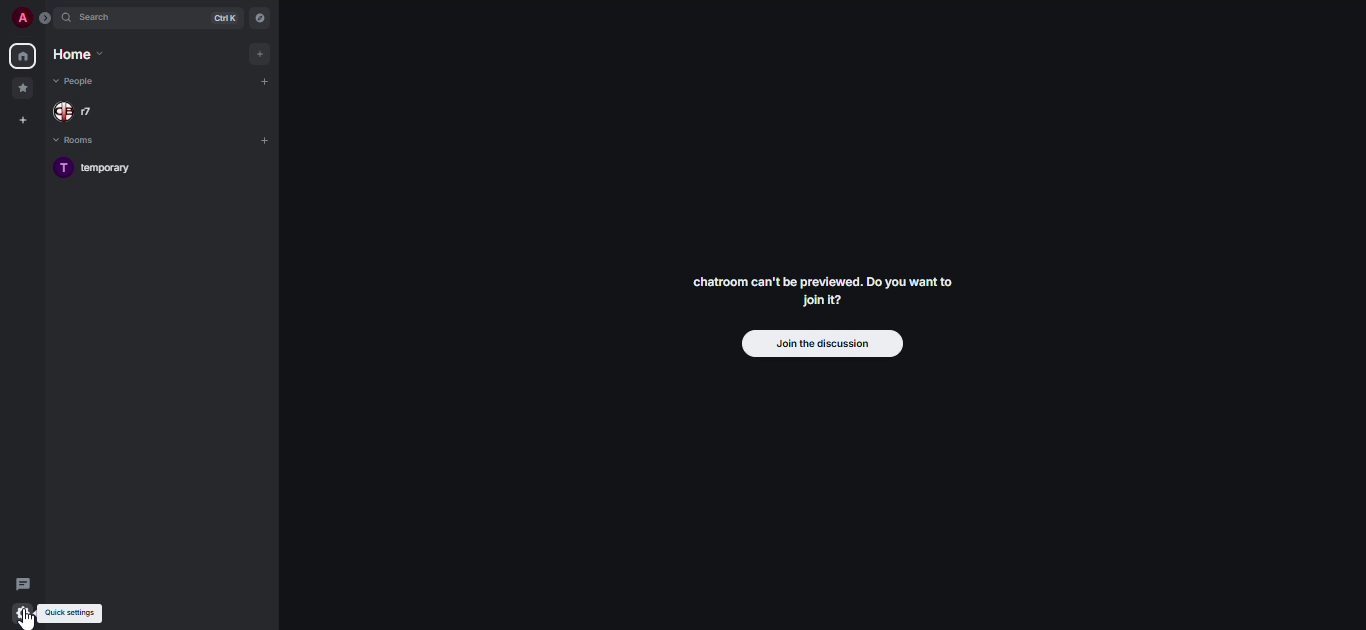 Image resolution: width=1366 pixels, height=630 pixels. Describe the element at coordinates (72, 613) in the screenshot. I see `quick settings` at that location.